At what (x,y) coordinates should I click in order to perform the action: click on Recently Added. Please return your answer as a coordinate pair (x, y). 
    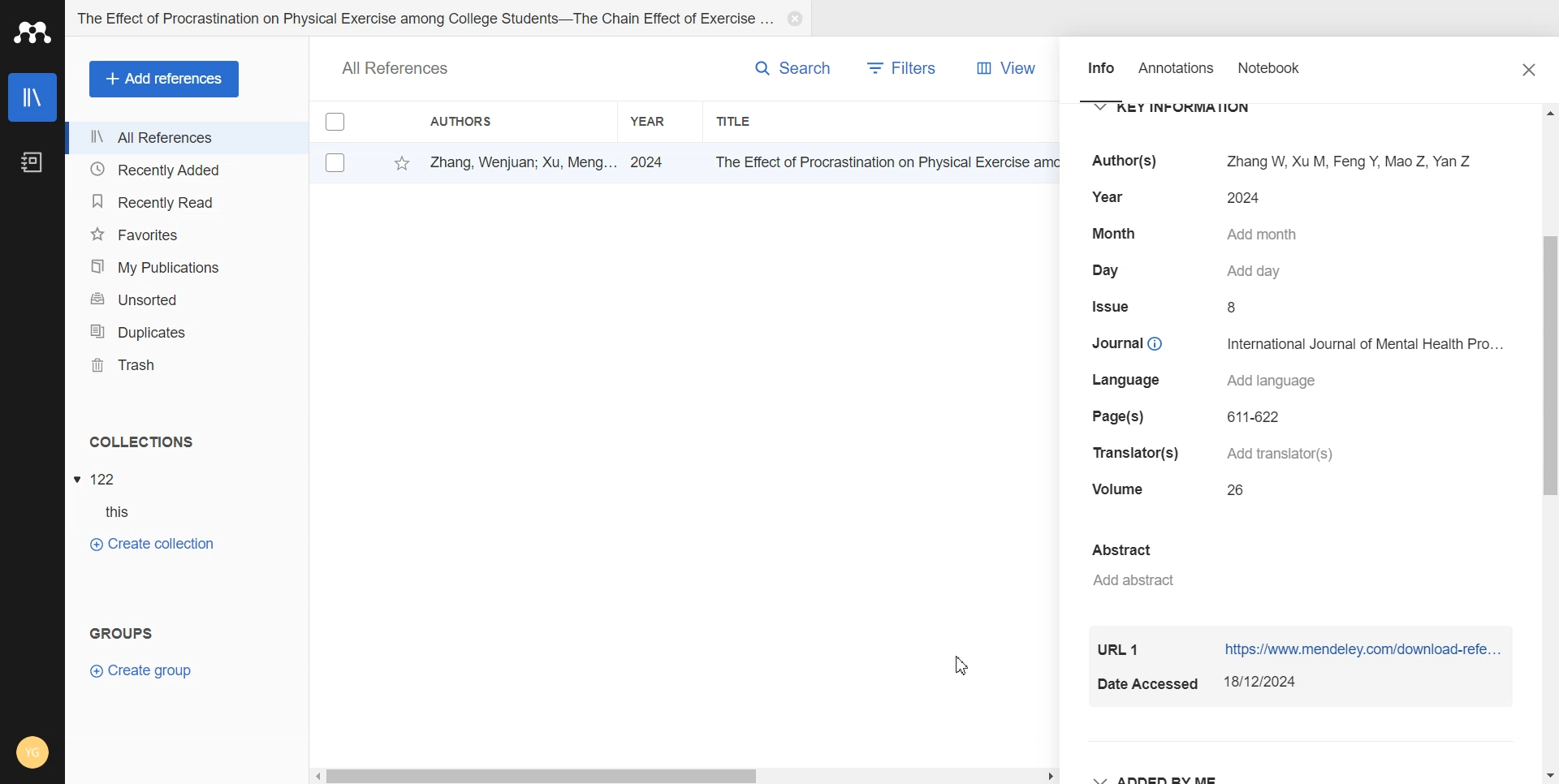
    Looking at the image, I should click on (184, 170).